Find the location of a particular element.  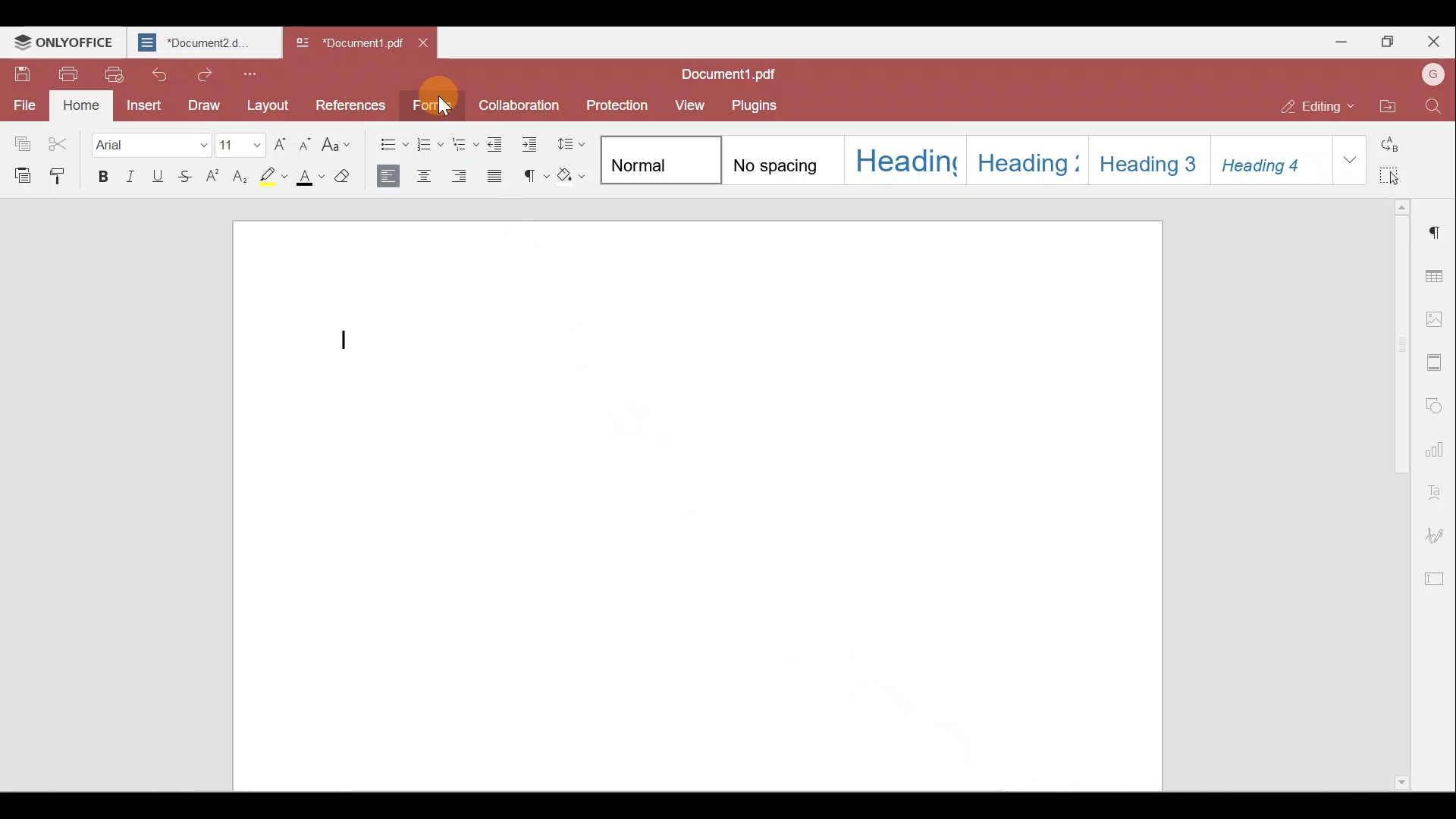

Layout is located at coordinates (267, 107).